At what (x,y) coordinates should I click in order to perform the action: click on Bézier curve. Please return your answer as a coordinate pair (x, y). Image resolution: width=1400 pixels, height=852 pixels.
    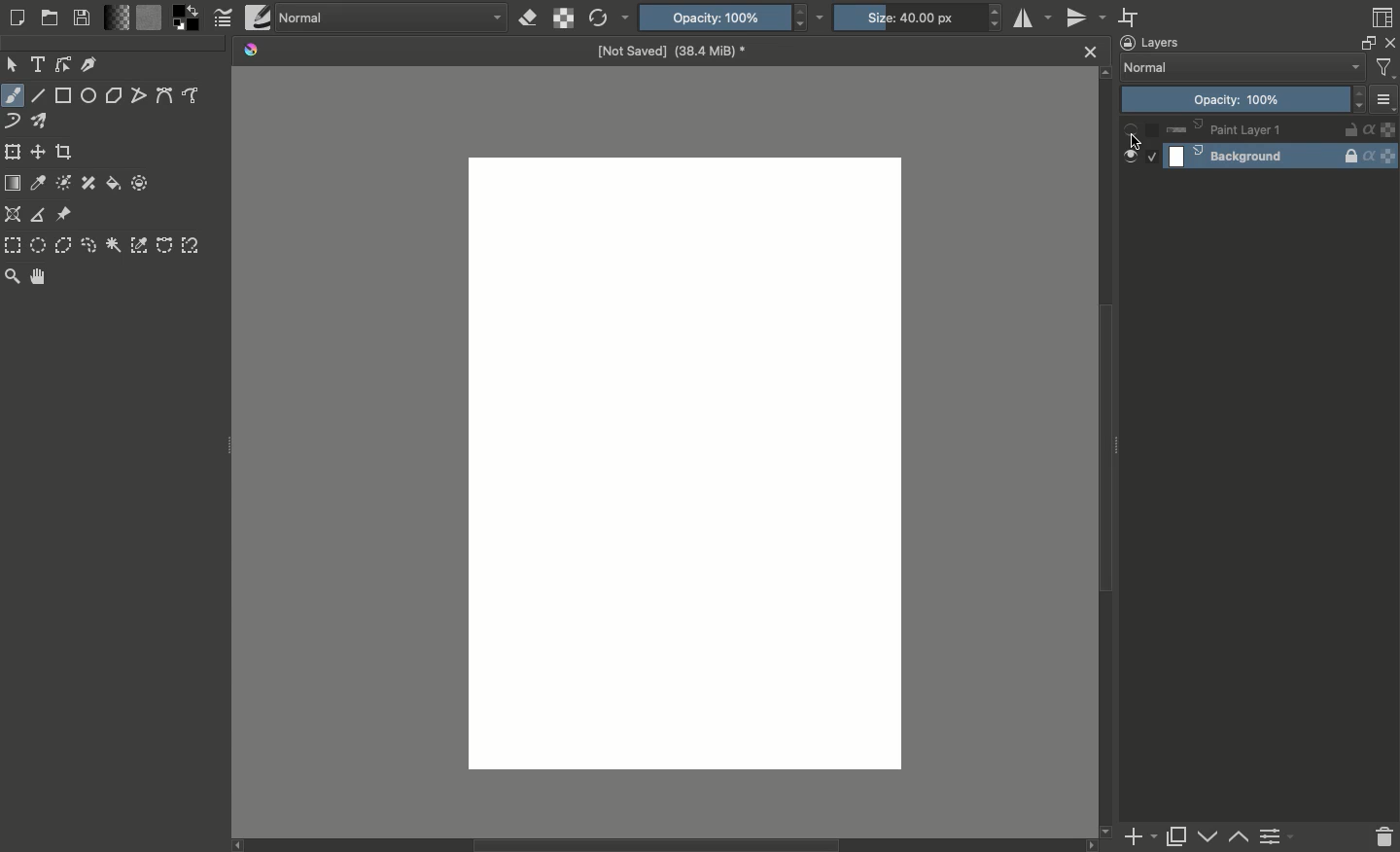
    Looking at the image, I should click on (167, 97).